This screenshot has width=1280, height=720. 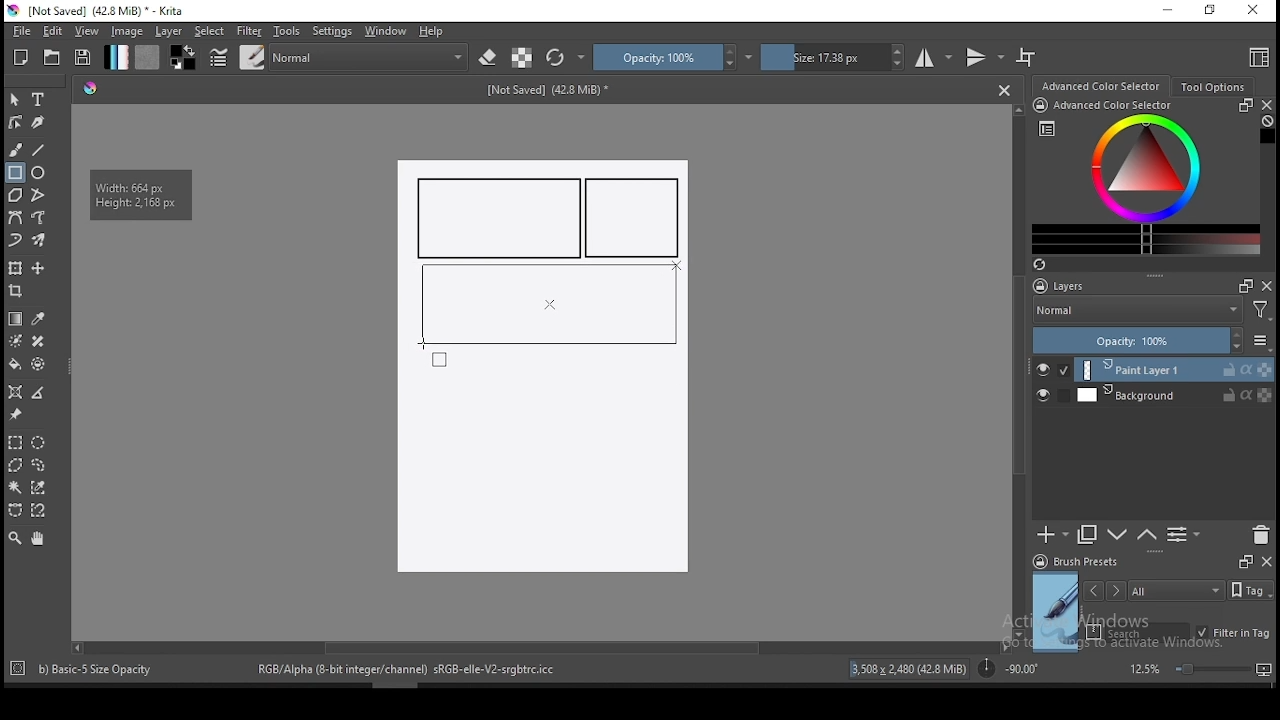 What do you see at coordinates (566, 57) in the screenshot?
I see `reload original preset` at bounding box center [566, 57].